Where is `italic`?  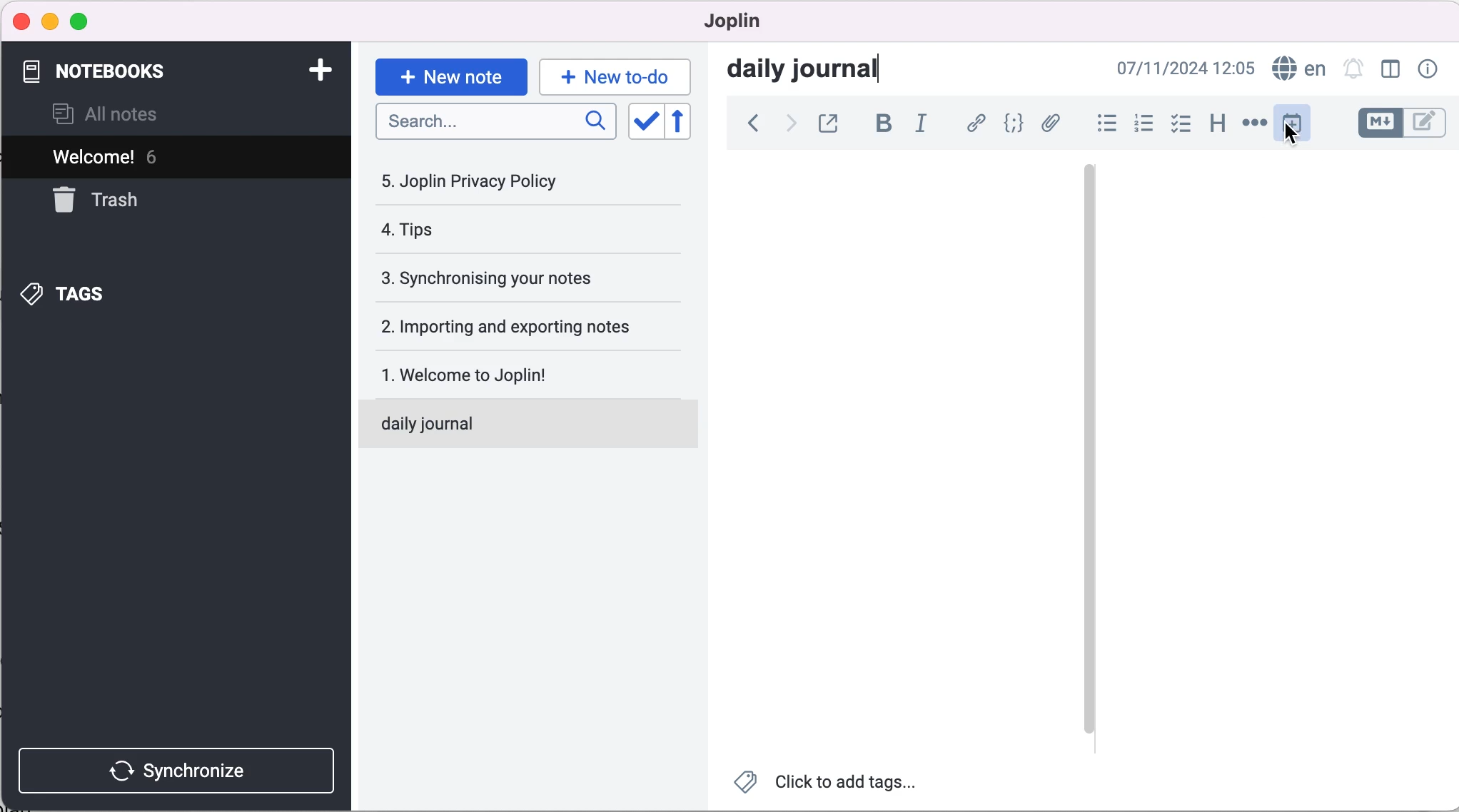
italic is located at coordinates (923, 123).